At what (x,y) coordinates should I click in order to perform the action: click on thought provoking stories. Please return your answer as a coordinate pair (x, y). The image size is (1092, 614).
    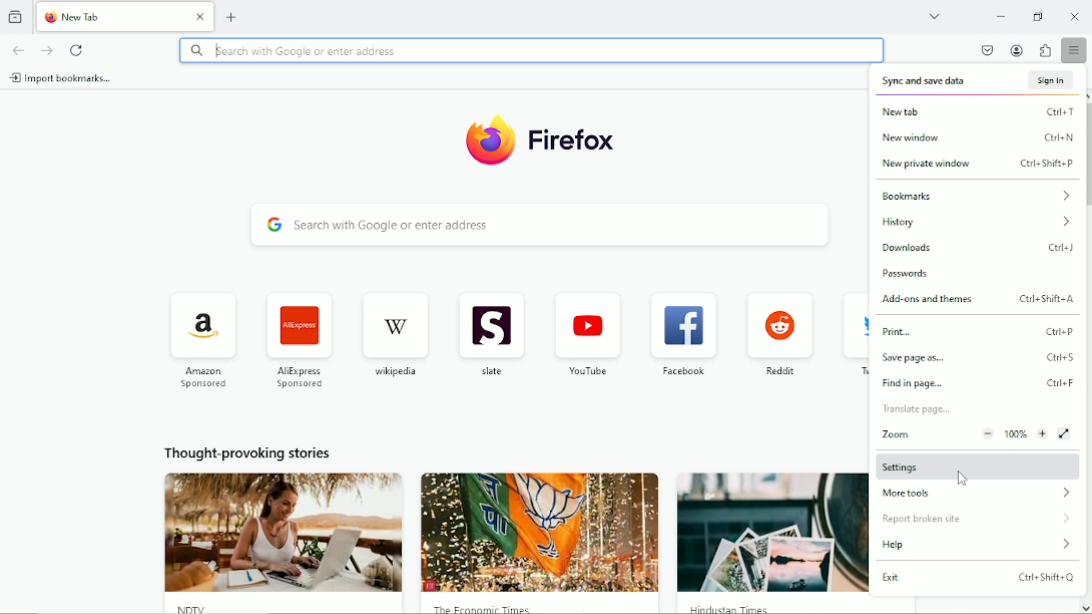
    Looking at the image, I should click on (245, 451).